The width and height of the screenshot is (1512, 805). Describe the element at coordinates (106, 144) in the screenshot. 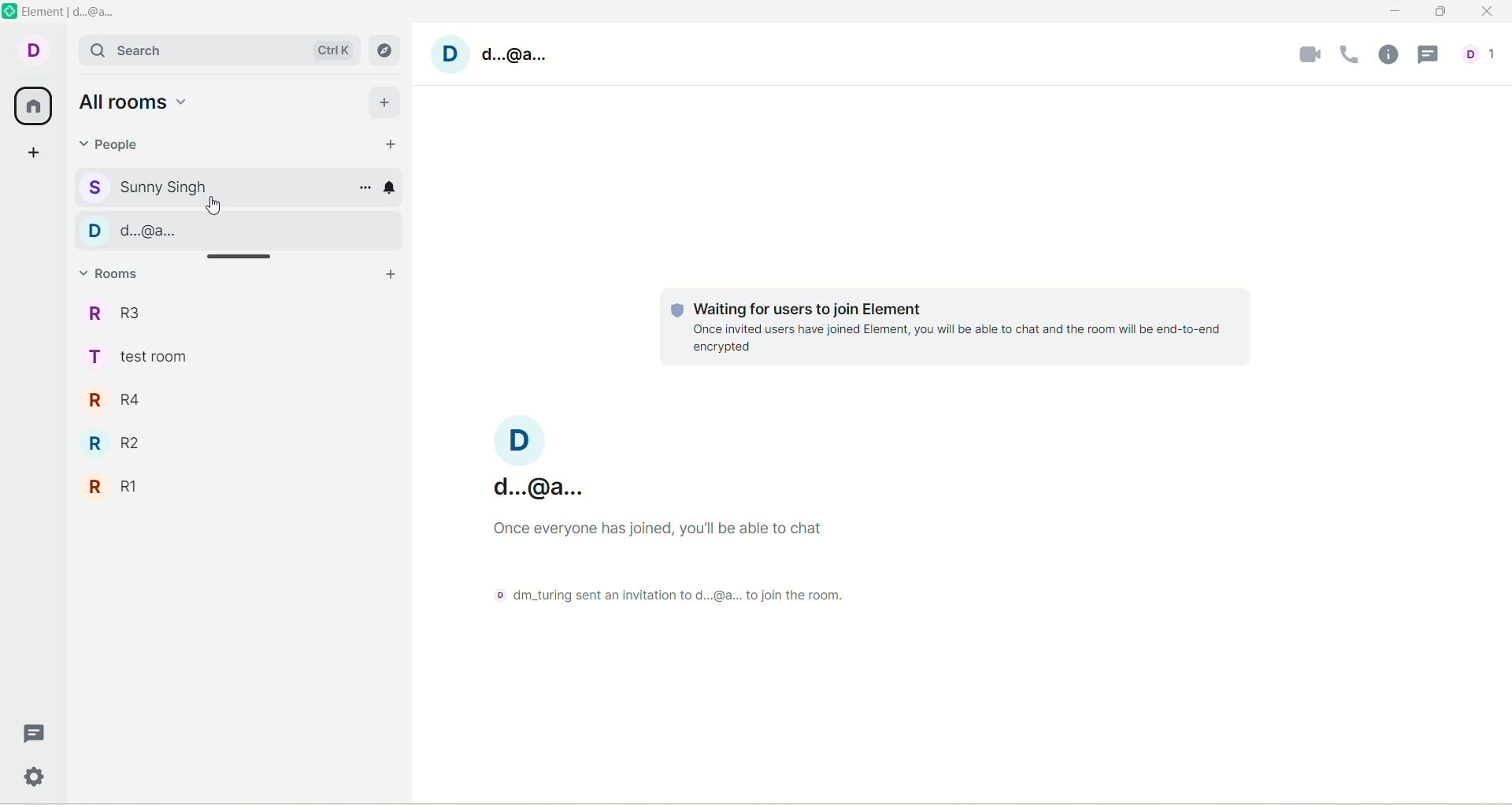

I see `people` at that location.